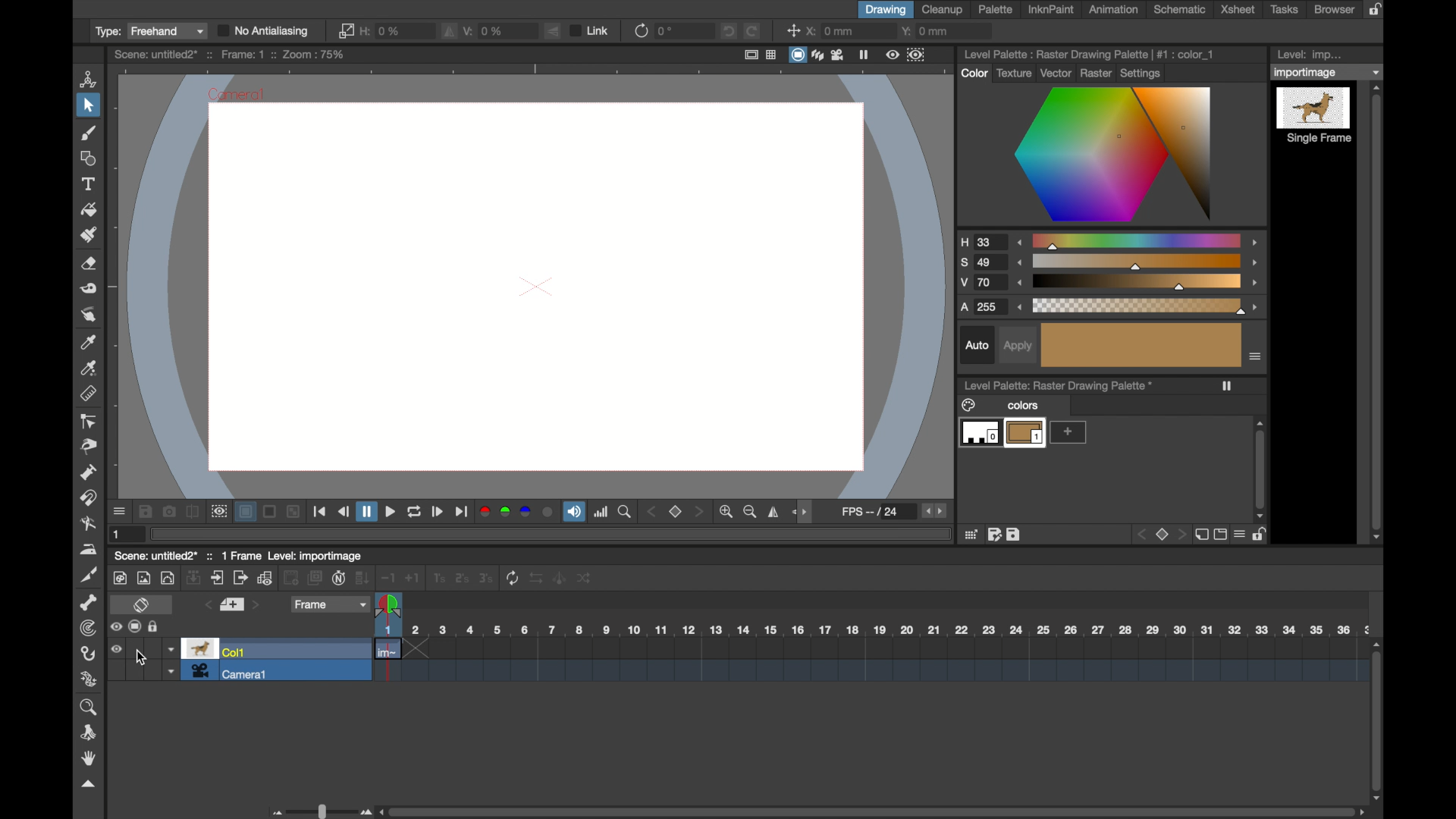 The width and height of the screenshot is (1456, 819). What do you see at coordinates (148, 32) in the screenshot?
I see `type` at bounding box center [148, 32].